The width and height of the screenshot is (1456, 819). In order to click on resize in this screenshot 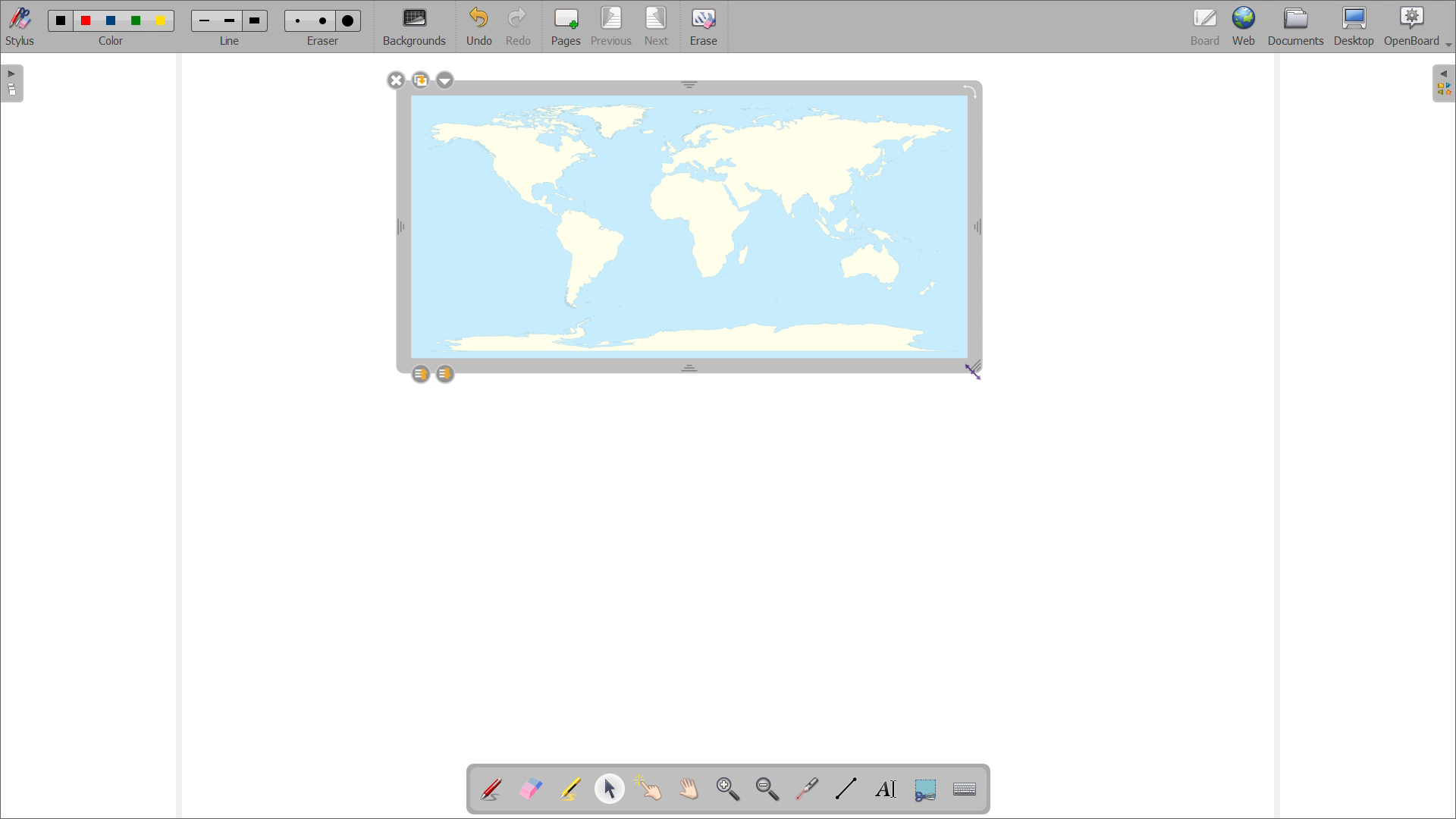, I will do `click(690, 366)`.